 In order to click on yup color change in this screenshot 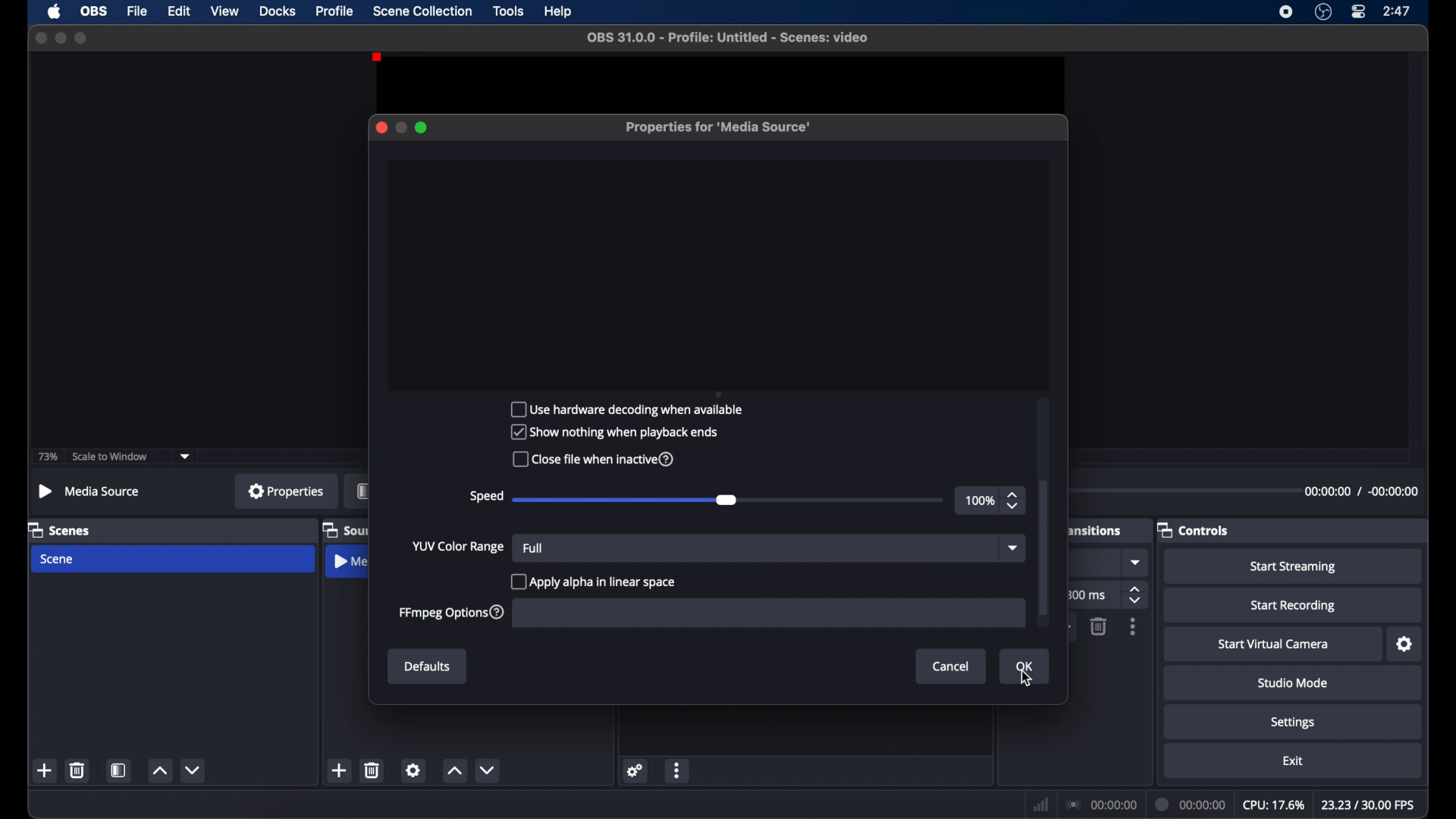, I will do `click(457, 546)`.